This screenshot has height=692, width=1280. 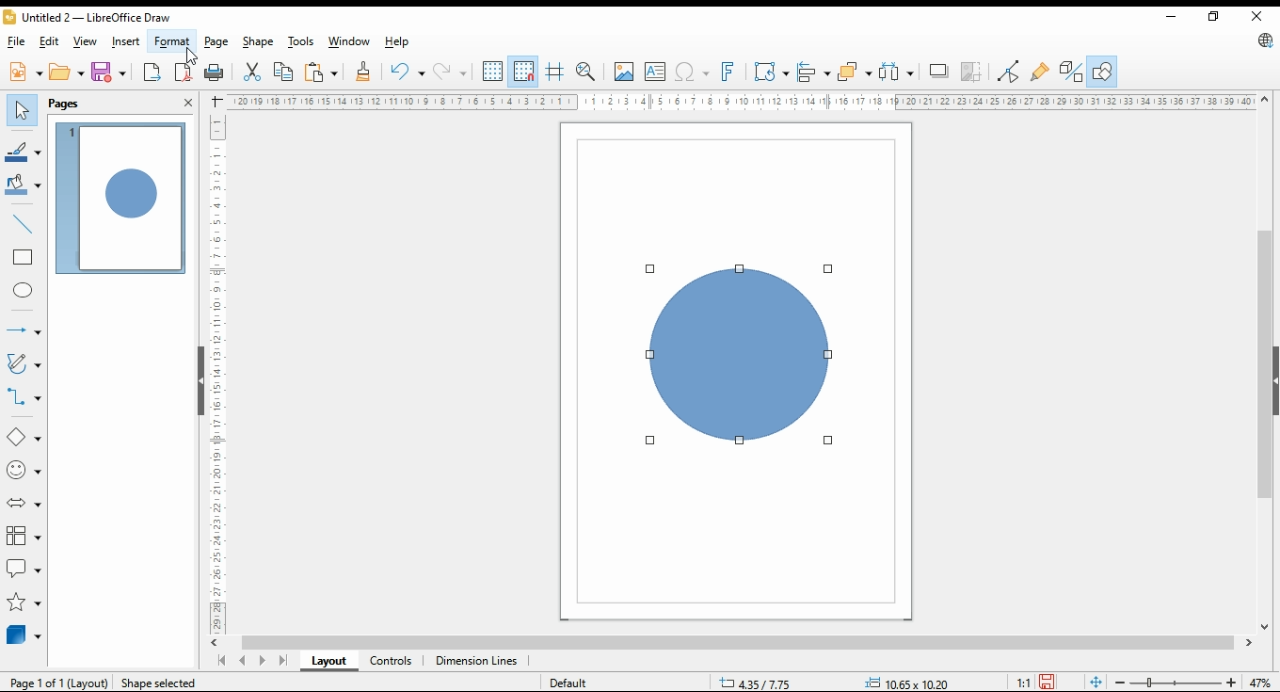 What do you see at coordinates (694, 72) in the screenshot?
I see `insert special characters` at bounding box center [694, 72].